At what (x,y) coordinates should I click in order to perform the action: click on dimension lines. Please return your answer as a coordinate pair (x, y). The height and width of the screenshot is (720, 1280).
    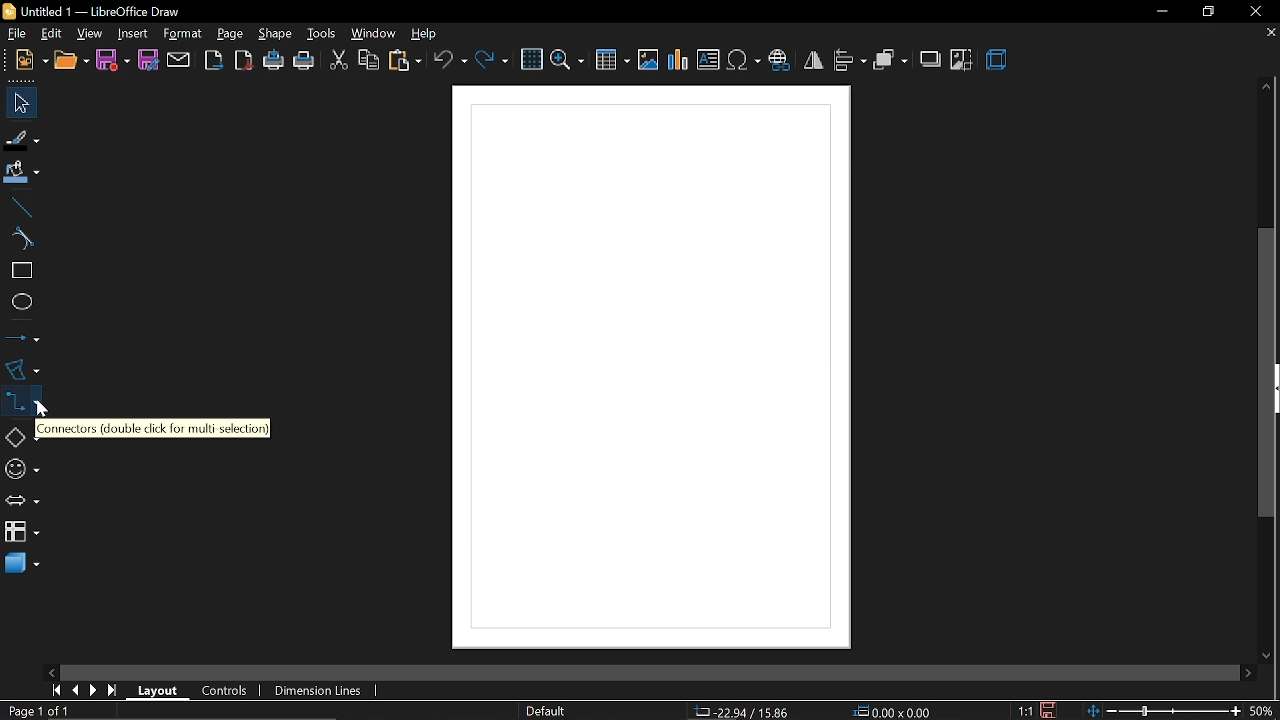
    Looking at the image, I should click on (321, 691).